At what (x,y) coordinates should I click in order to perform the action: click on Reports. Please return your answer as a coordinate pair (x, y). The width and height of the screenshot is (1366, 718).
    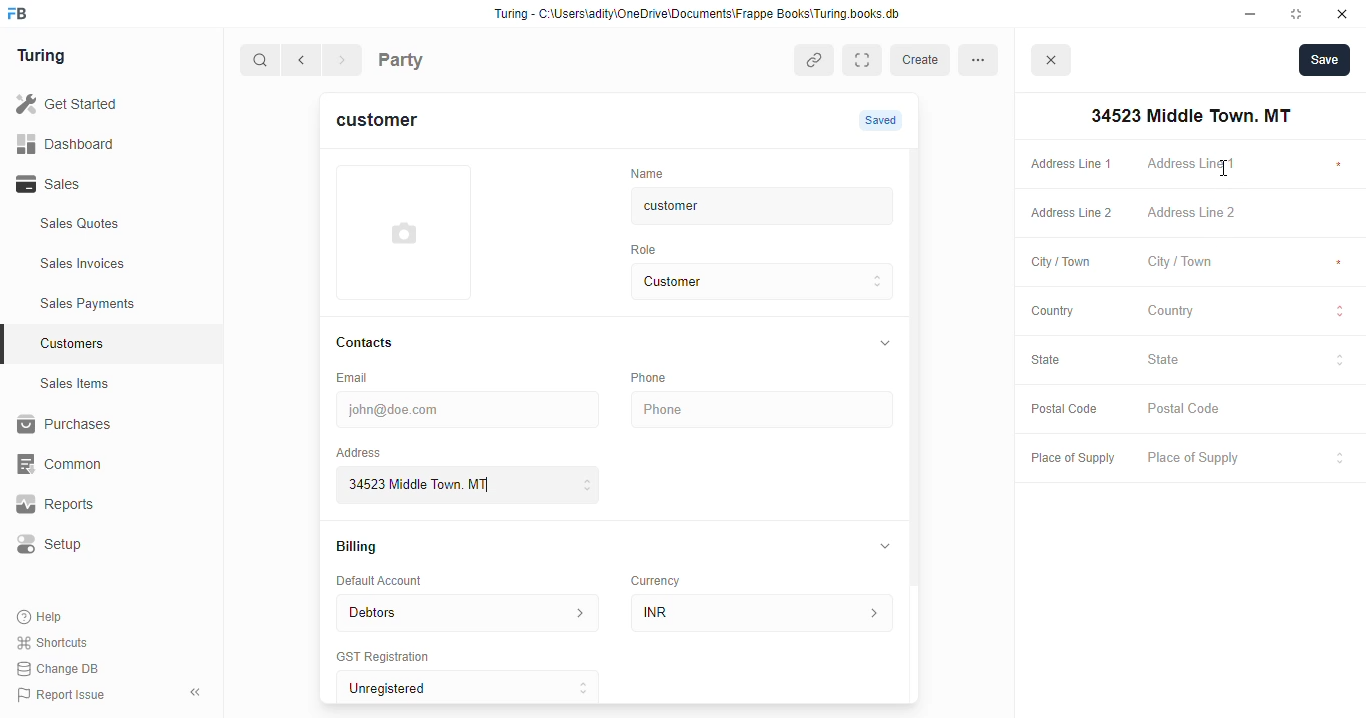
    Looking at the image, I should click on (91, 505).